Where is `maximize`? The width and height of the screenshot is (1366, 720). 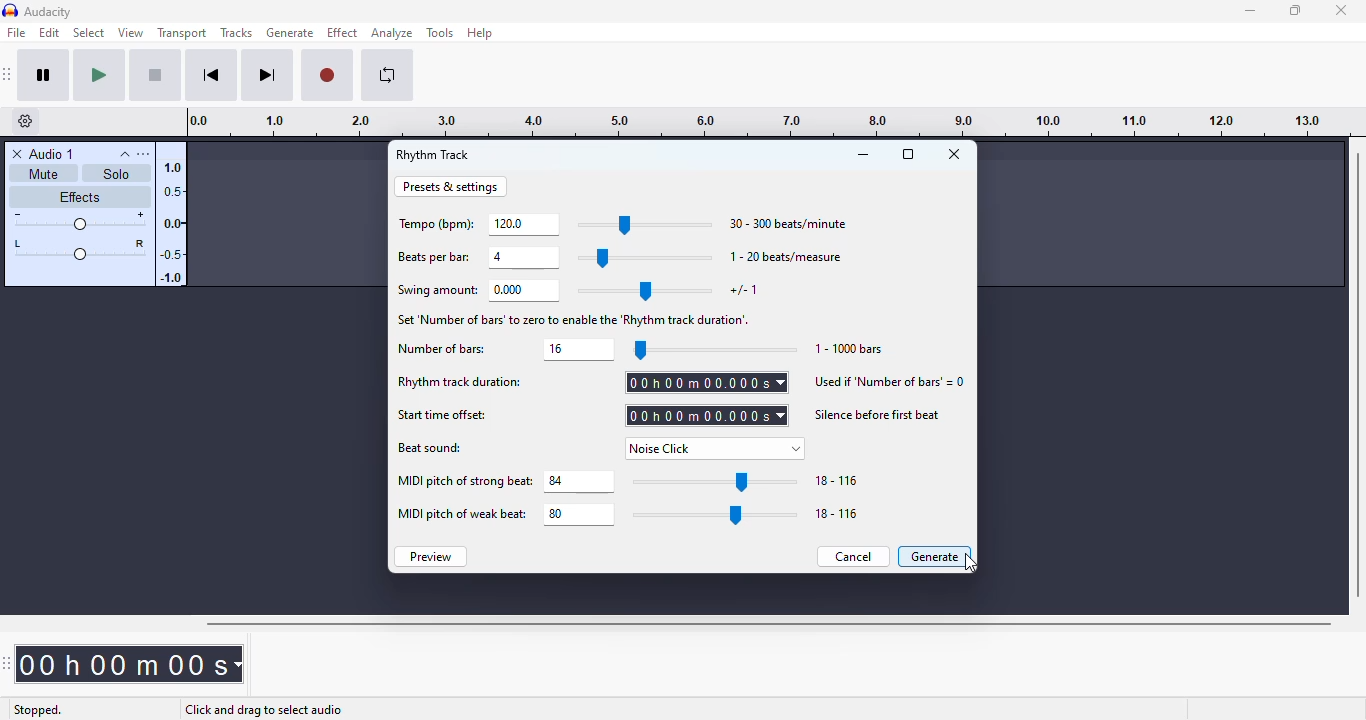
maximize is located at coordinates (908, 153).